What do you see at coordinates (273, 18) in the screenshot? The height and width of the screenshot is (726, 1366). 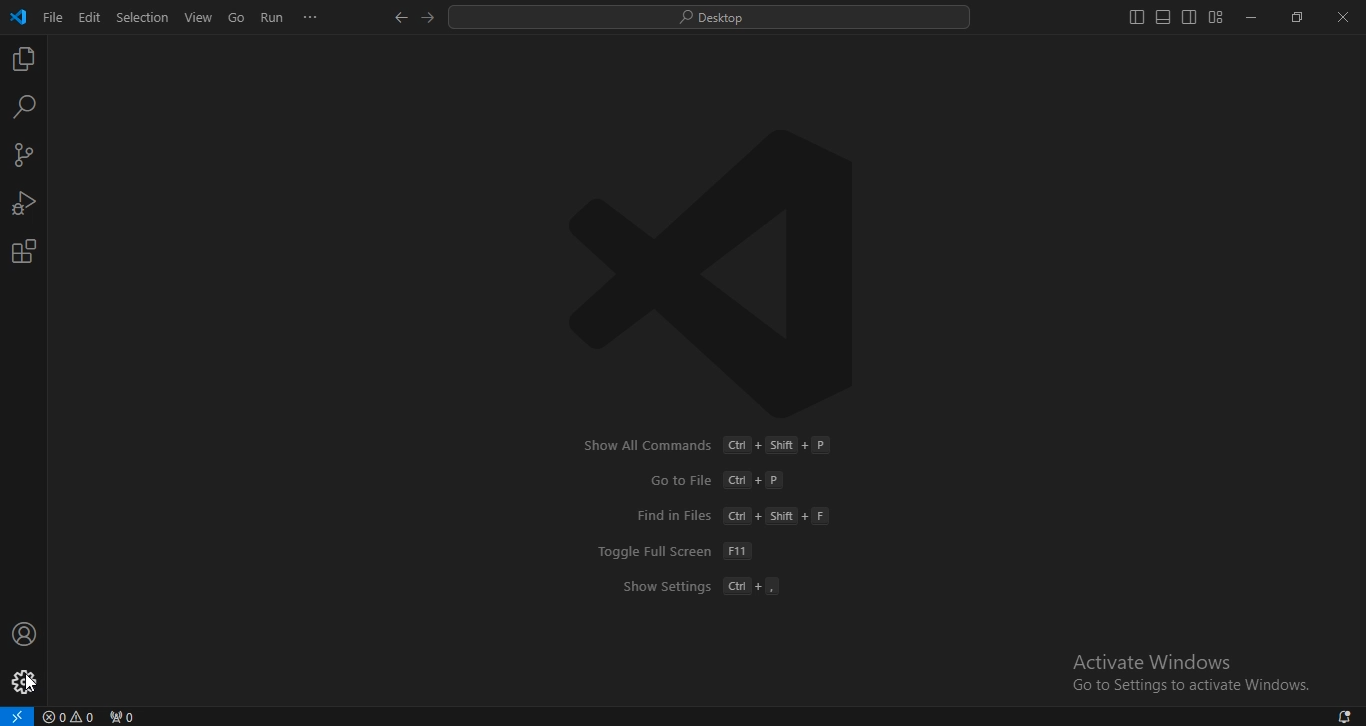 I see `run` at bounding box center [273, 18].